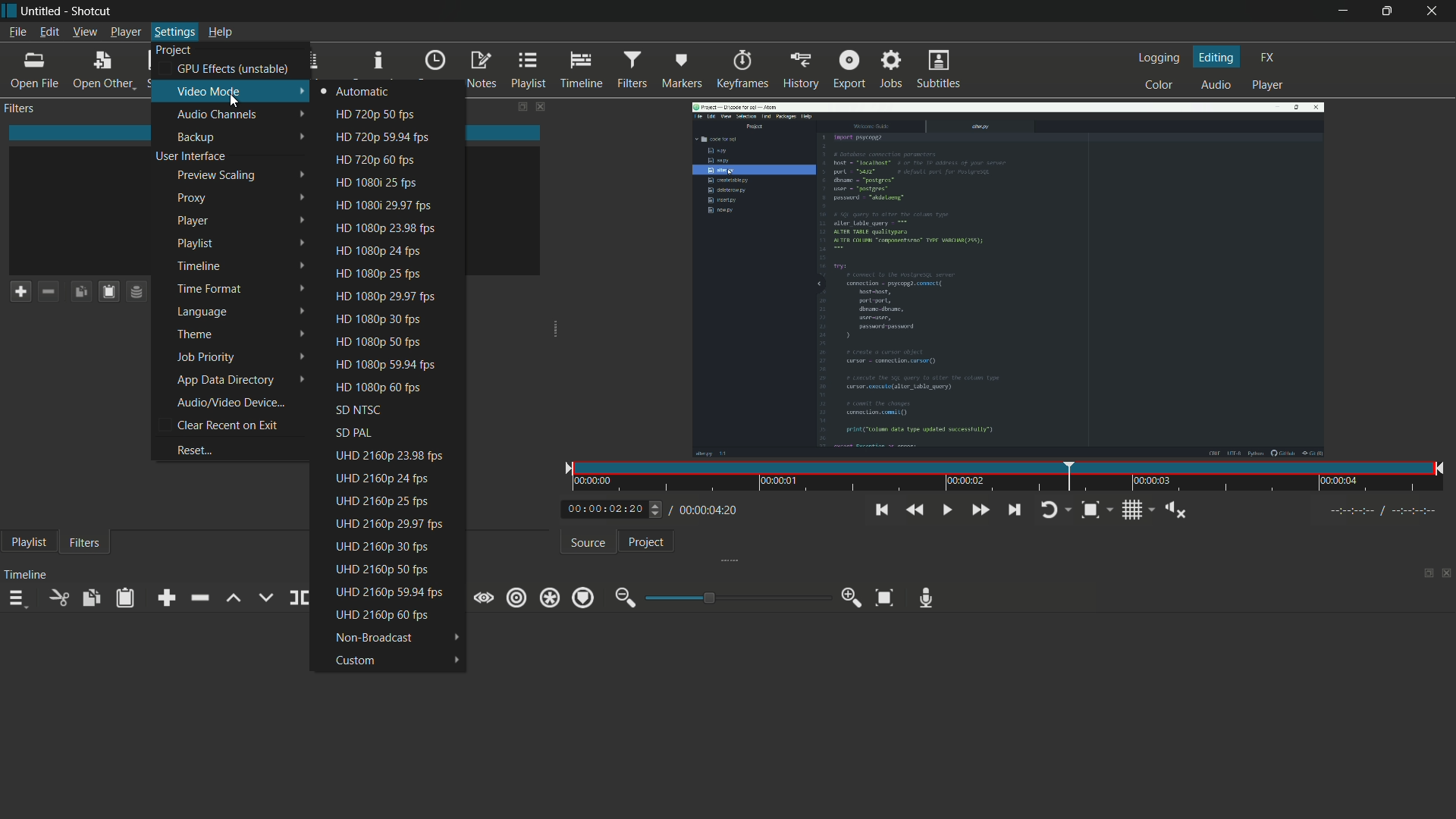 This screenshot has width=1456, height=819. Describe the element at coordinates (108, 290) in the screenshot. I see `paste filters` at that location.